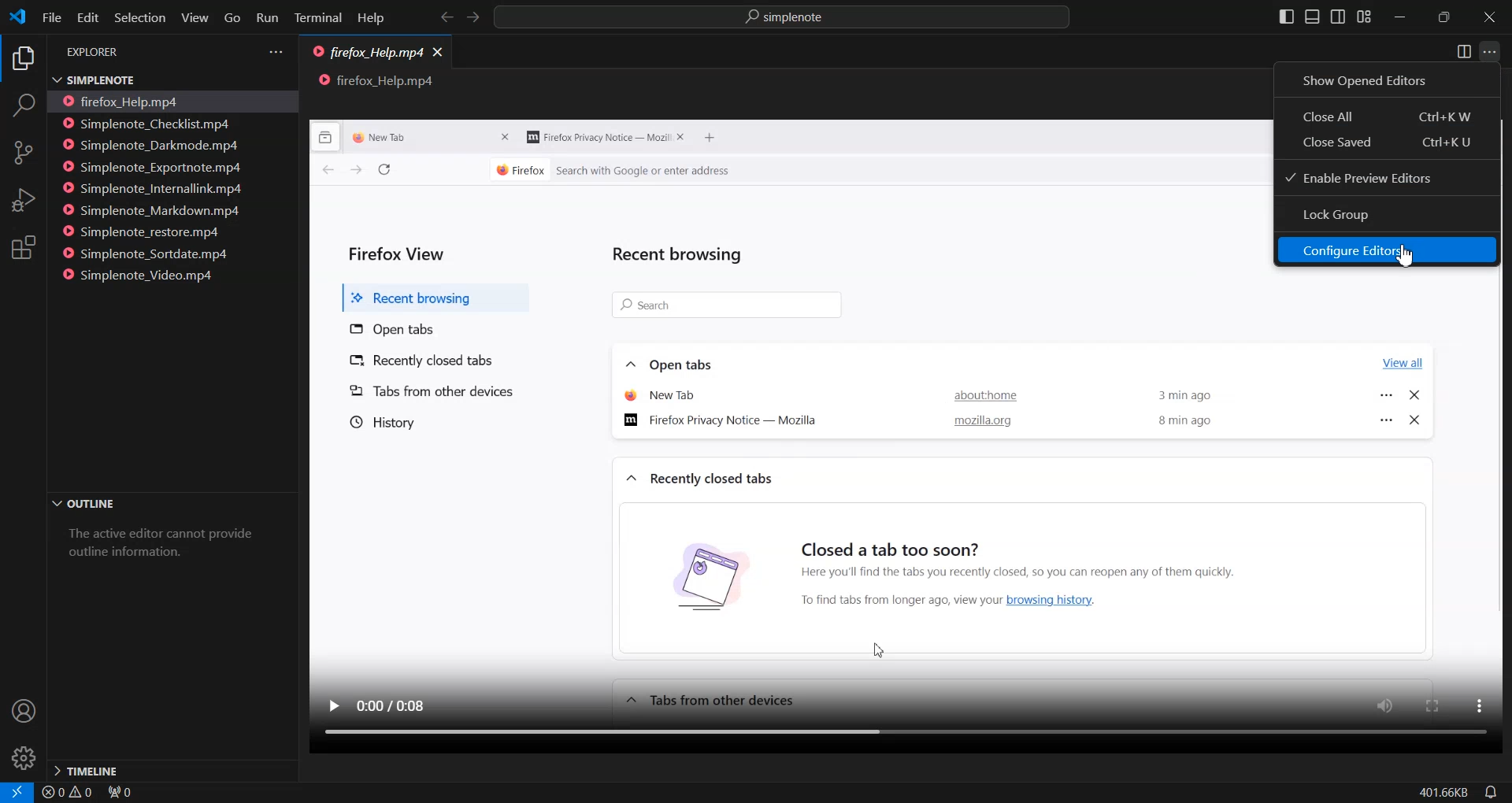 The width and height of the screenshot is (1512, 803). What do you see at coordinates (152, 123) in the screenshot?
I see `Simplenote_Checklist.mp4` at bounding box center [152, 123].